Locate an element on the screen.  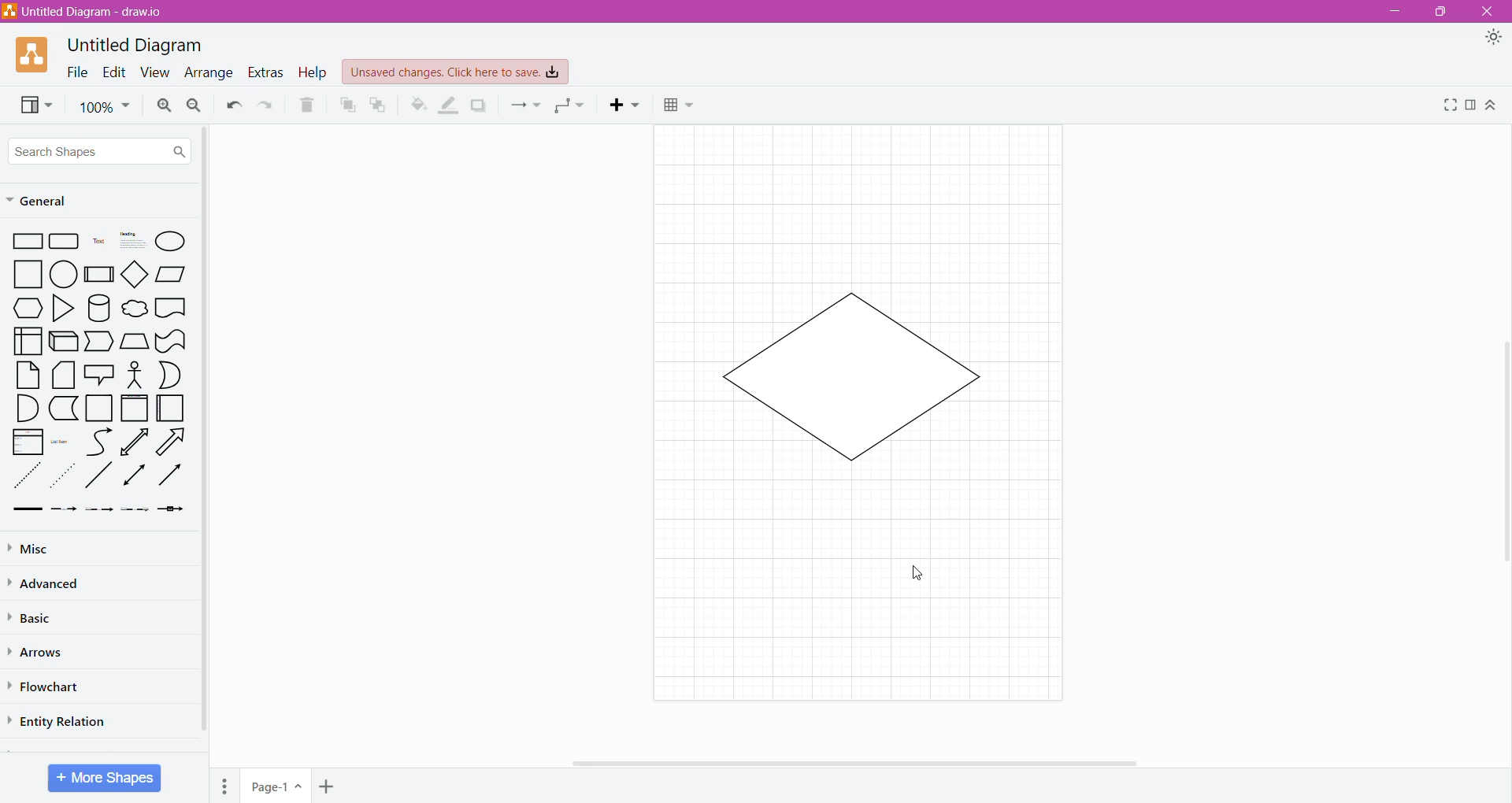
Shapes is located at coordinates (100, 373).